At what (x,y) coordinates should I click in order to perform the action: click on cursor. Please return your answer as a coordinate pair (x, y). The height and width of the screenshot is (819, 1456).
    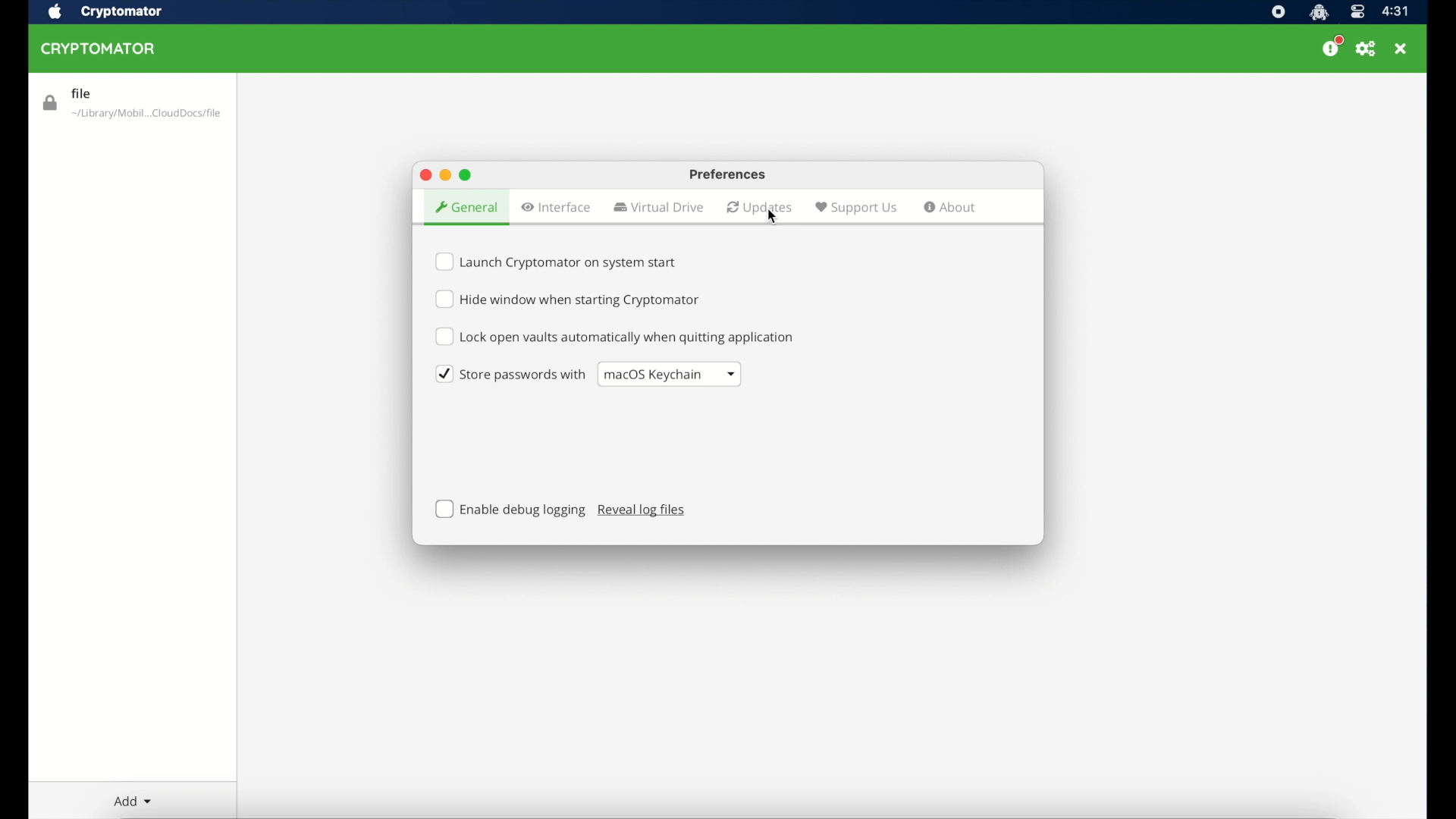
    Looking at the image, I should click on (769, 216).